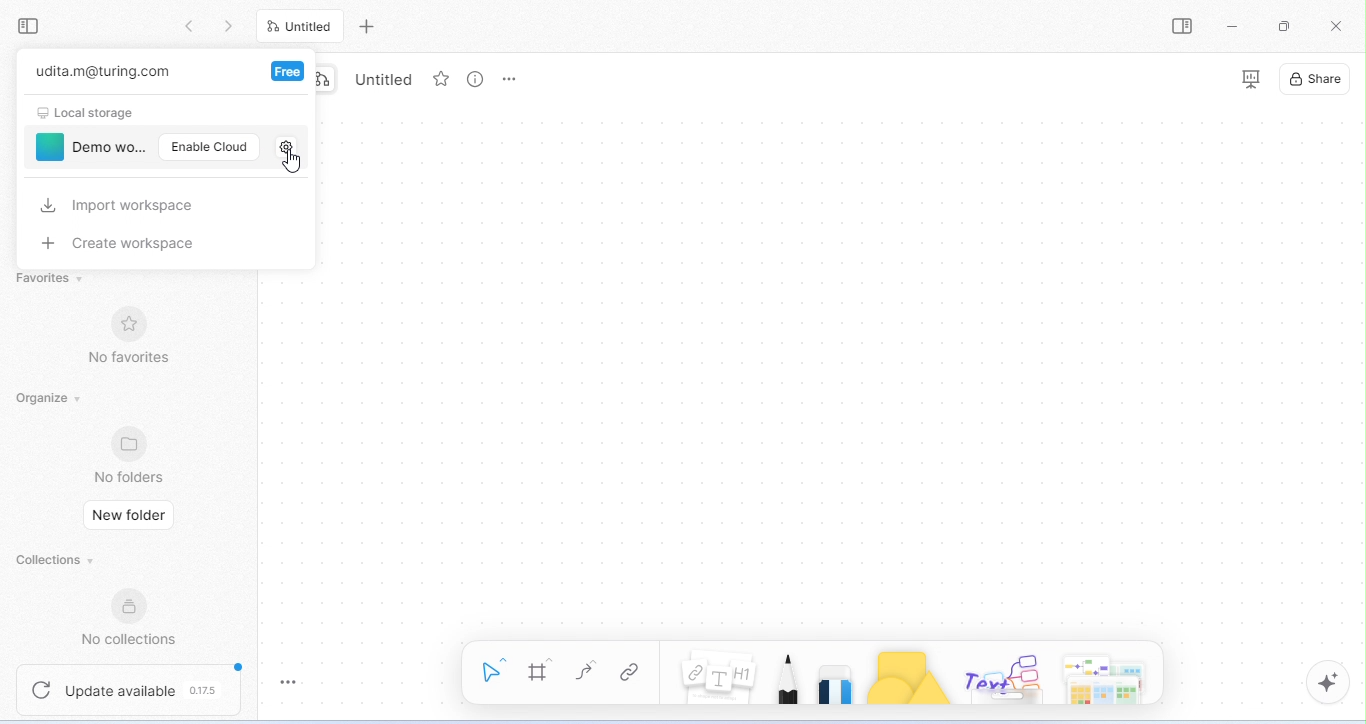 This screenshot has width=1366, height=724. I want to click on share, so click(1316, 81).